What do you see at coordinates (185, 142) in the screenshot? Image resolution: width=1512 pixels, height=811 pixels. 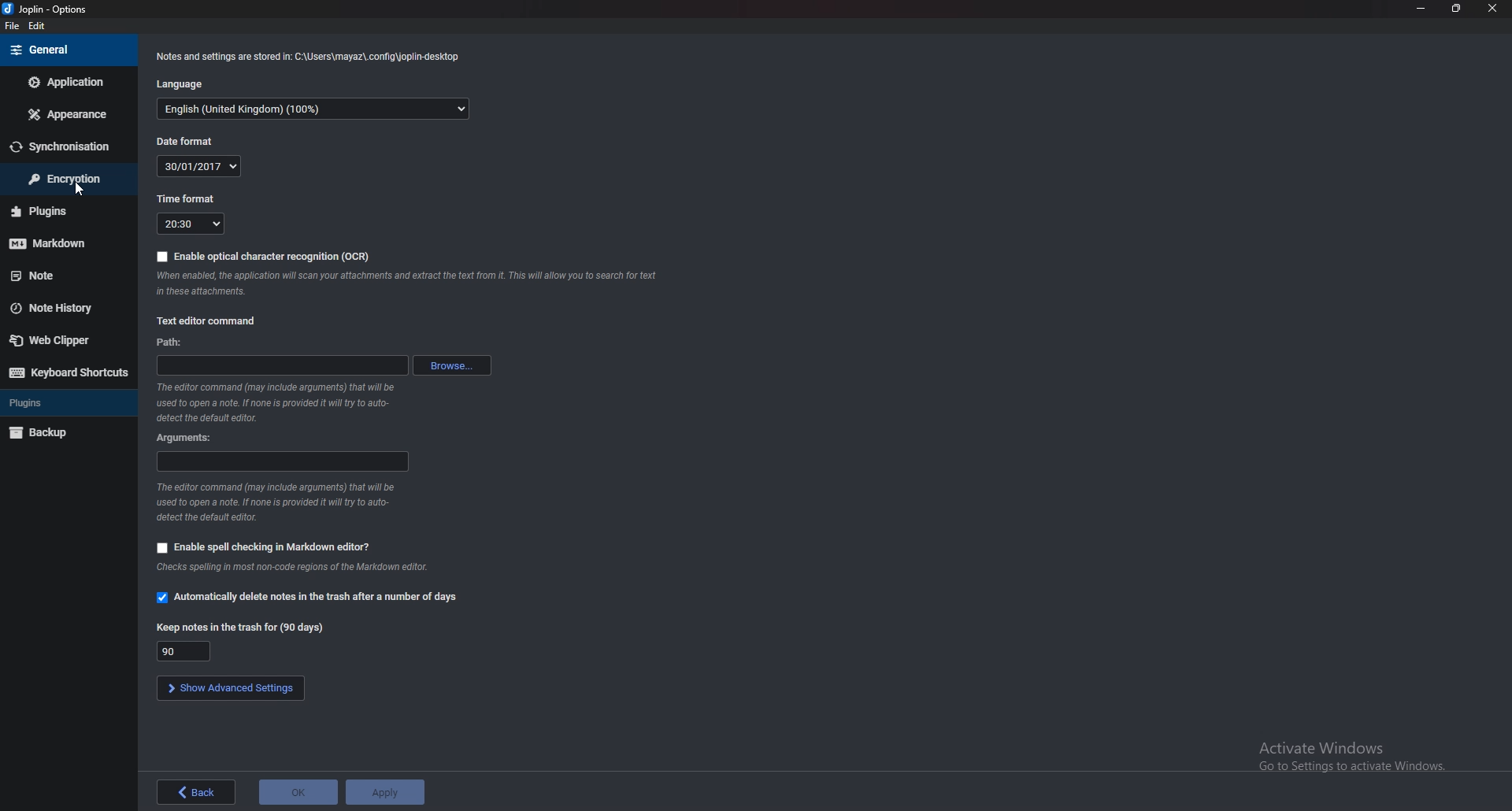 I see `date format` at bounding box center [185, 142].